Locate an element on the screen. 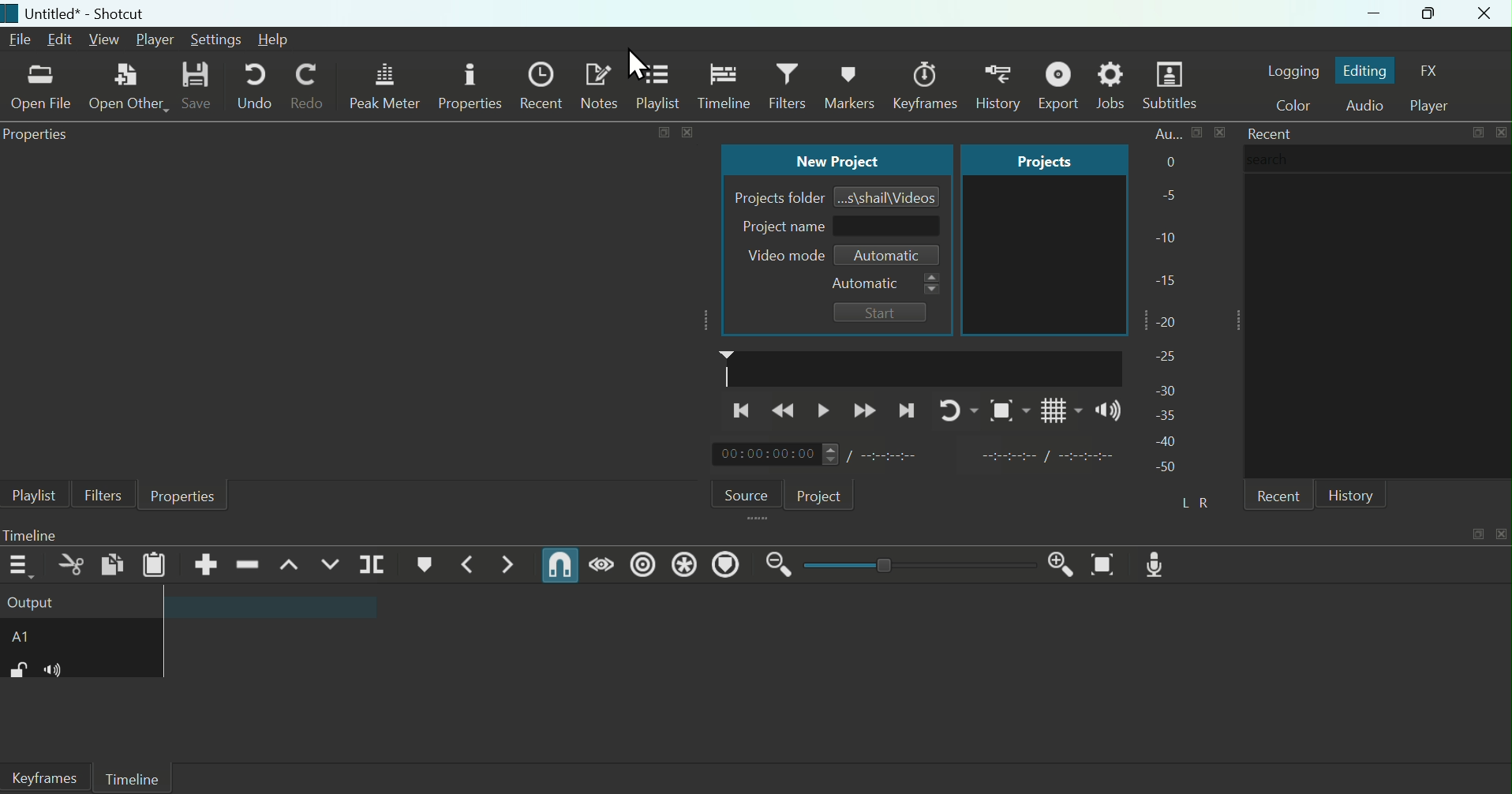 Image resolution: width=1512 pixels, height=794 pixels. expand is located at coordinates (1477, 133).